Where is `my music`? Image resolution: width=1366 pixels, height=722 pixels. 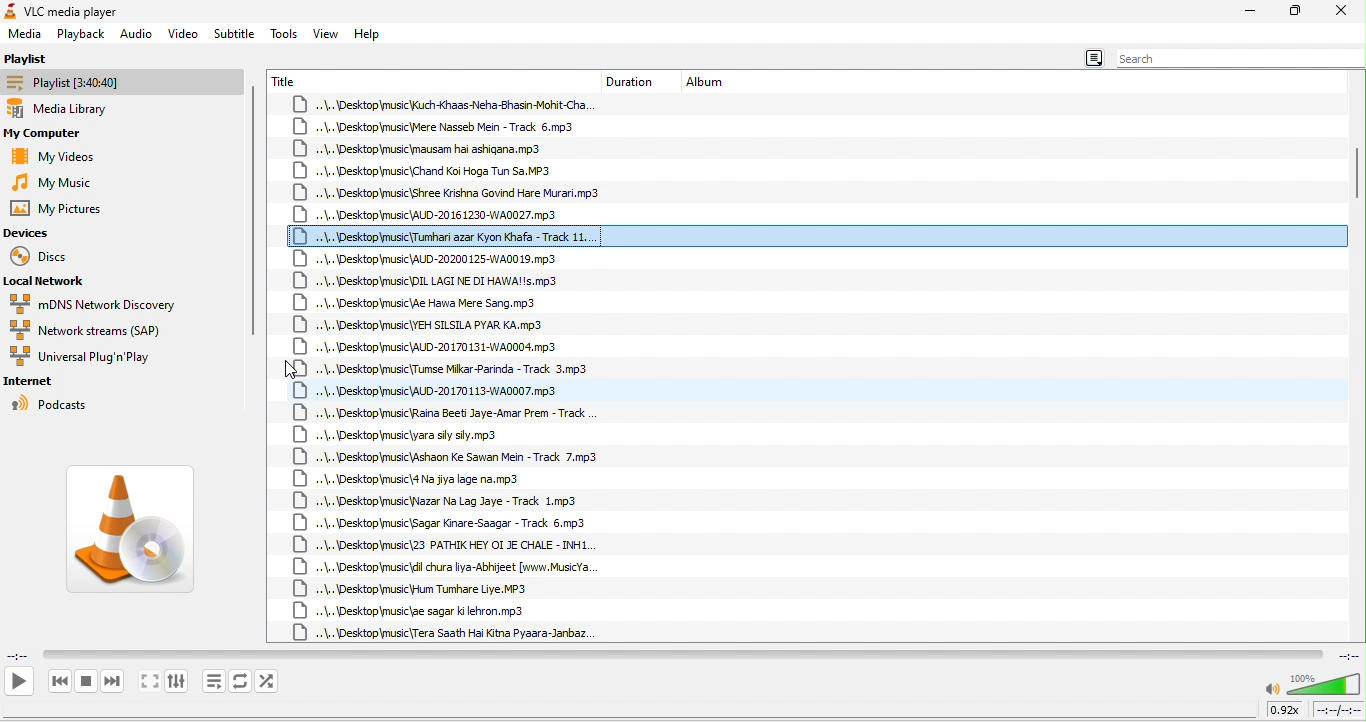 my music is located at coordinates (55, 184).